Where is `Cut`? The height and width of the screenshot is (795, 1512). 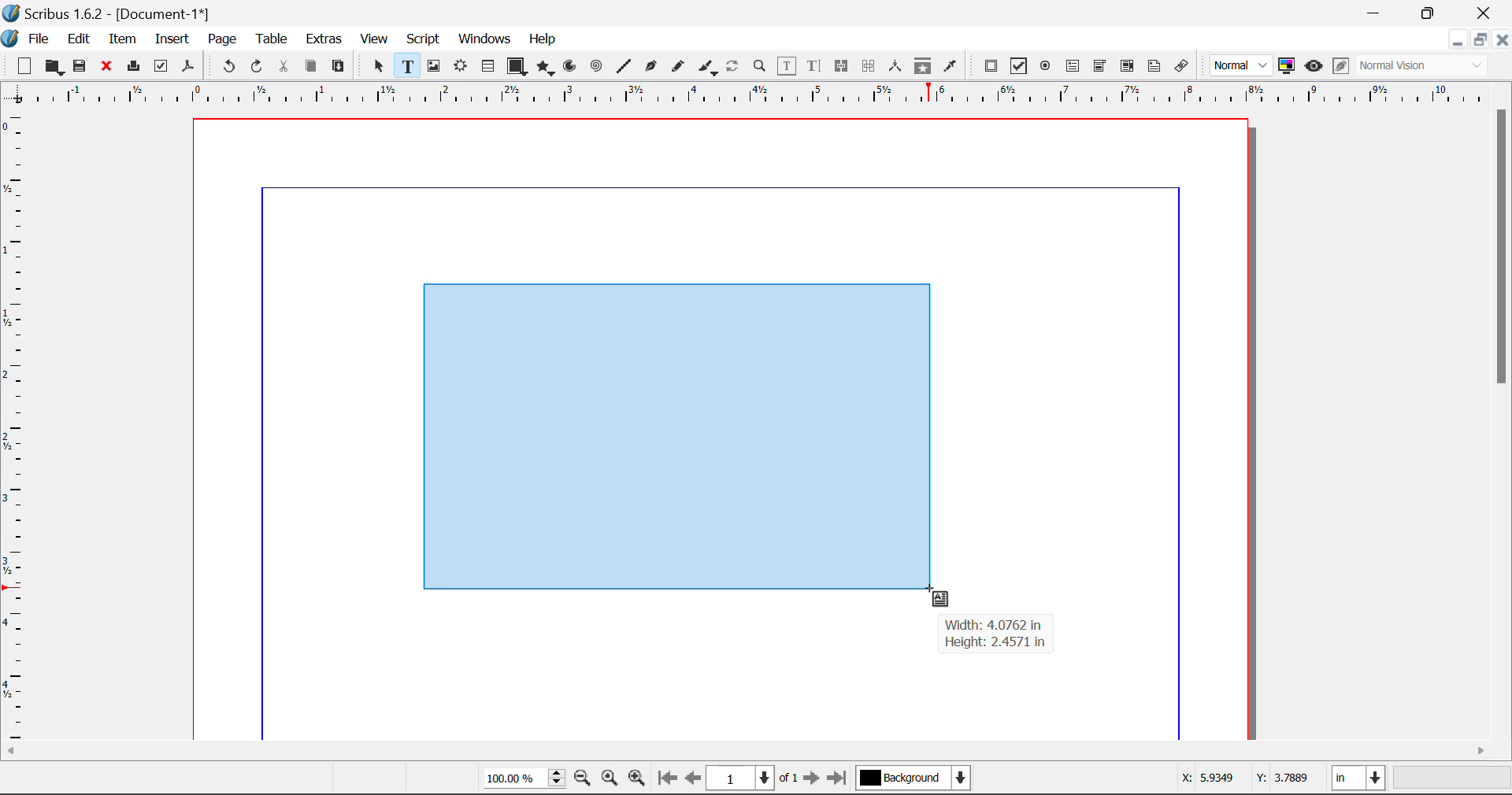 Cut is located at coordinates (285, 66).